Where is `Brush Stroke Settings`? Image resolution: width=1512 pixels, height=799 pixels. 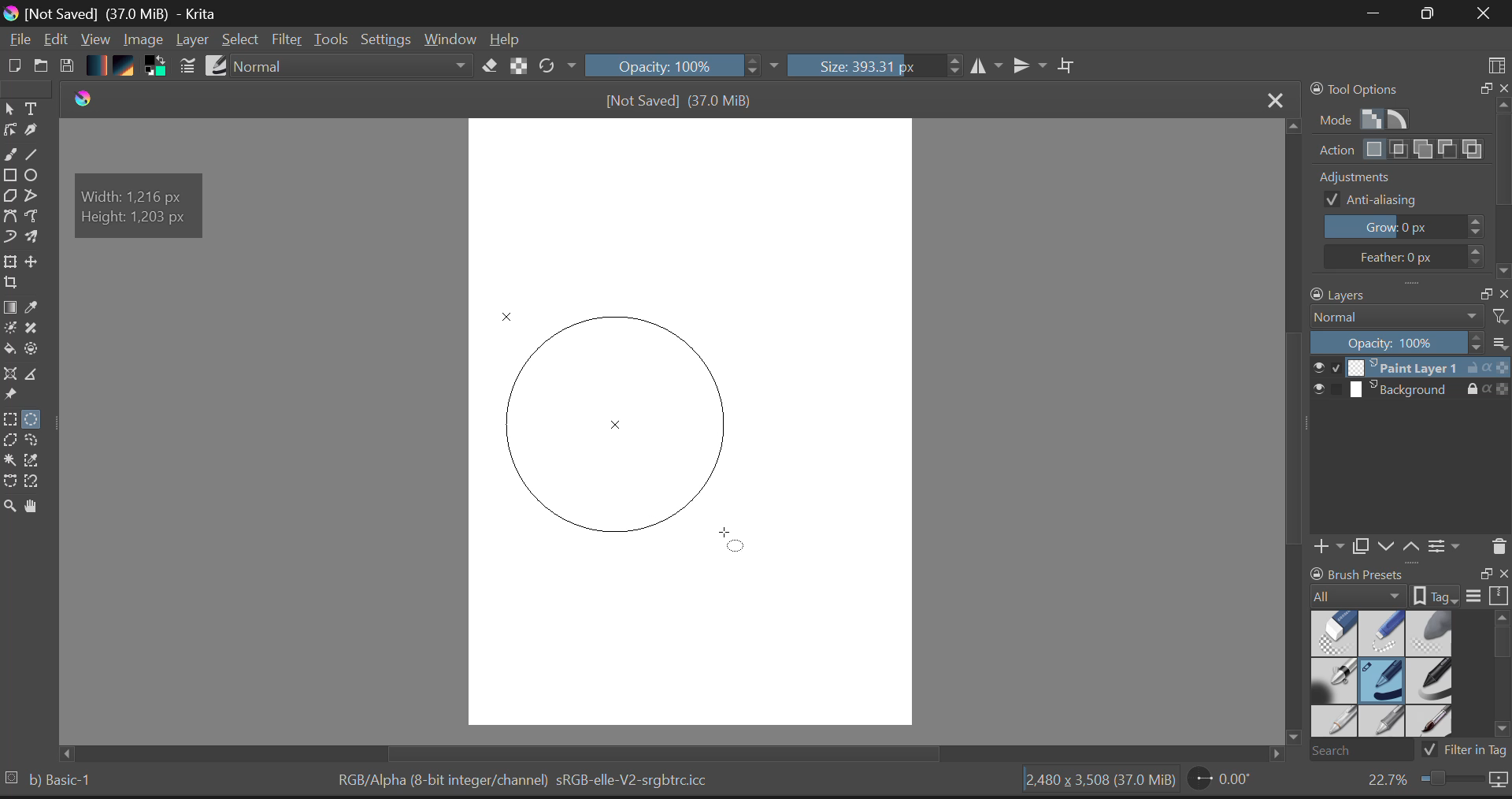 Brush Stroke Settings is located at coordinates (186, 66).